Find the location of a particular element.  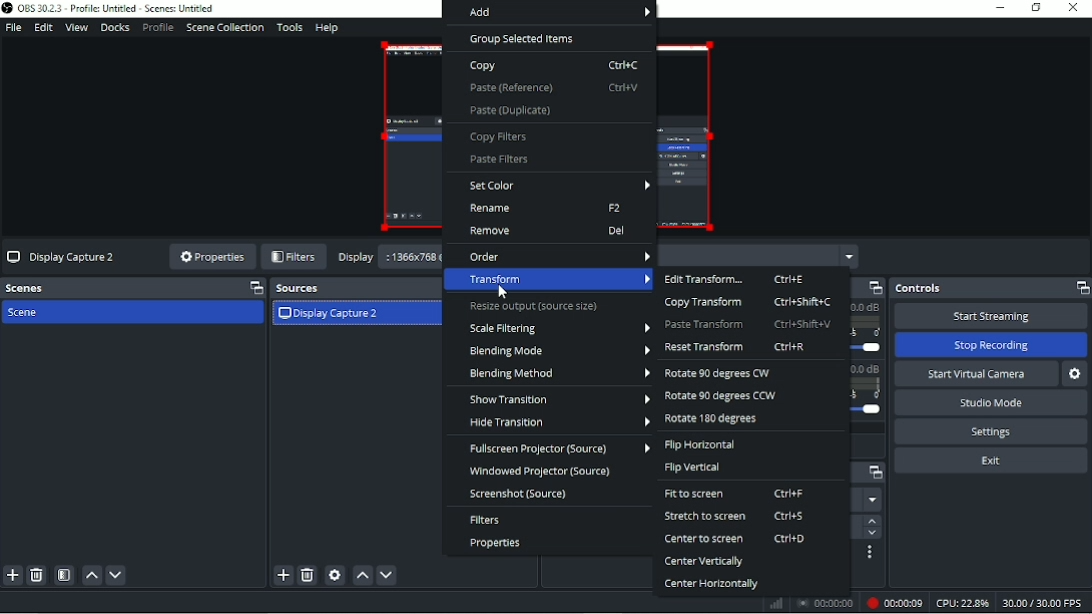

Copy transform is located at coordinates (748, 302).